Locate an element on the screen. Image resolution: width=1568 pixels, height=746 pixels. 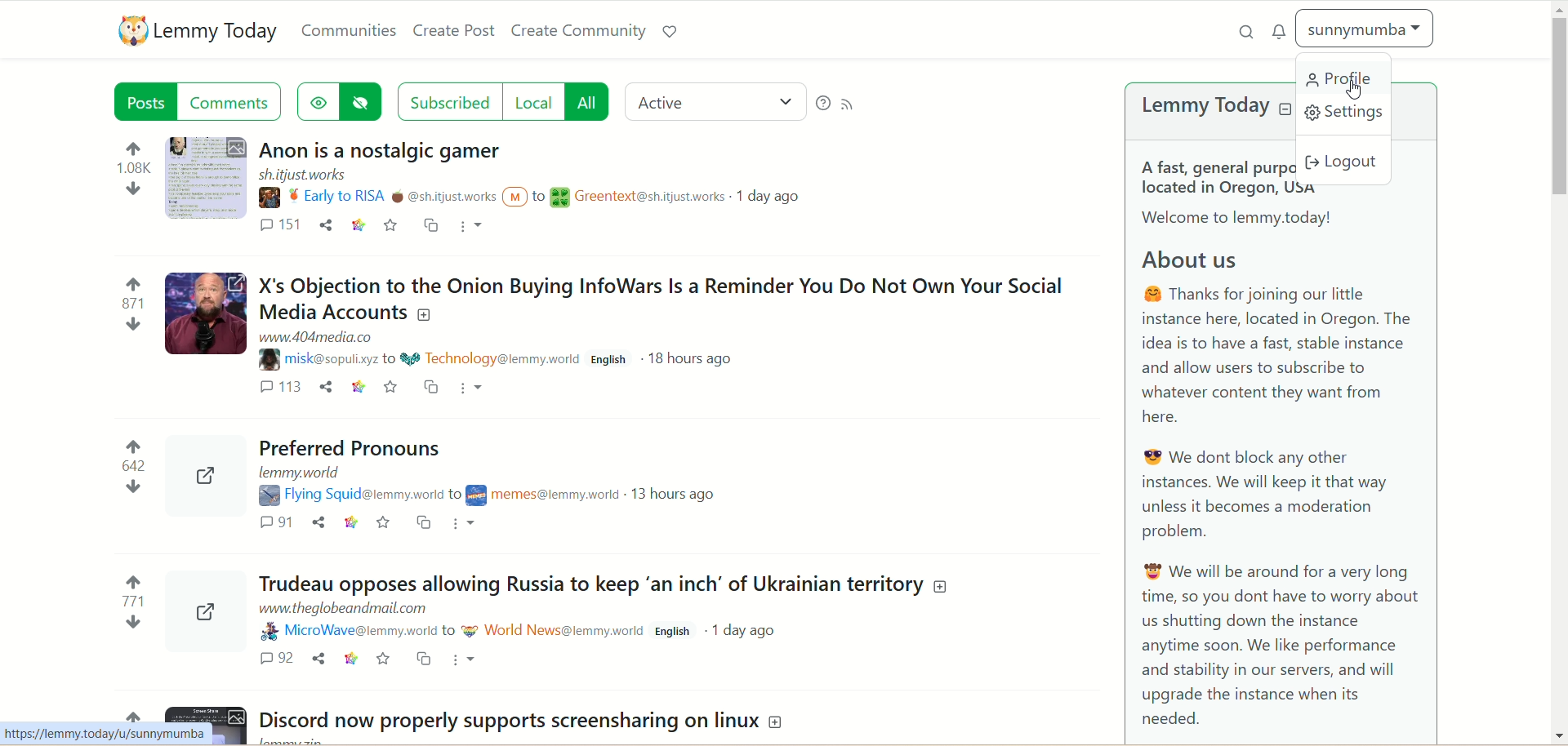
help is located at coordinates (822, 104).